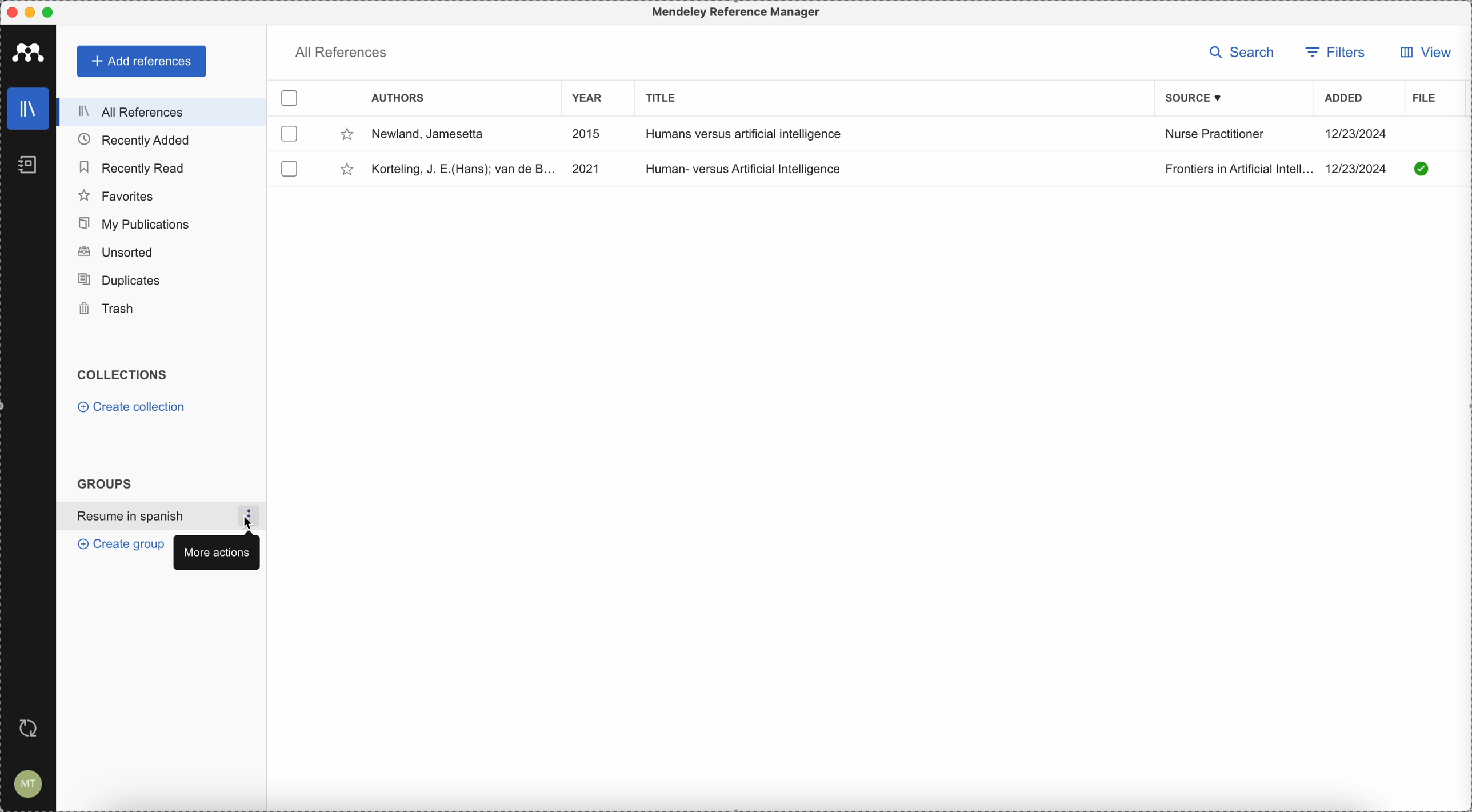  Describe the element at coordinates (104, 483) in the screenshot. I see `groups` at that location.